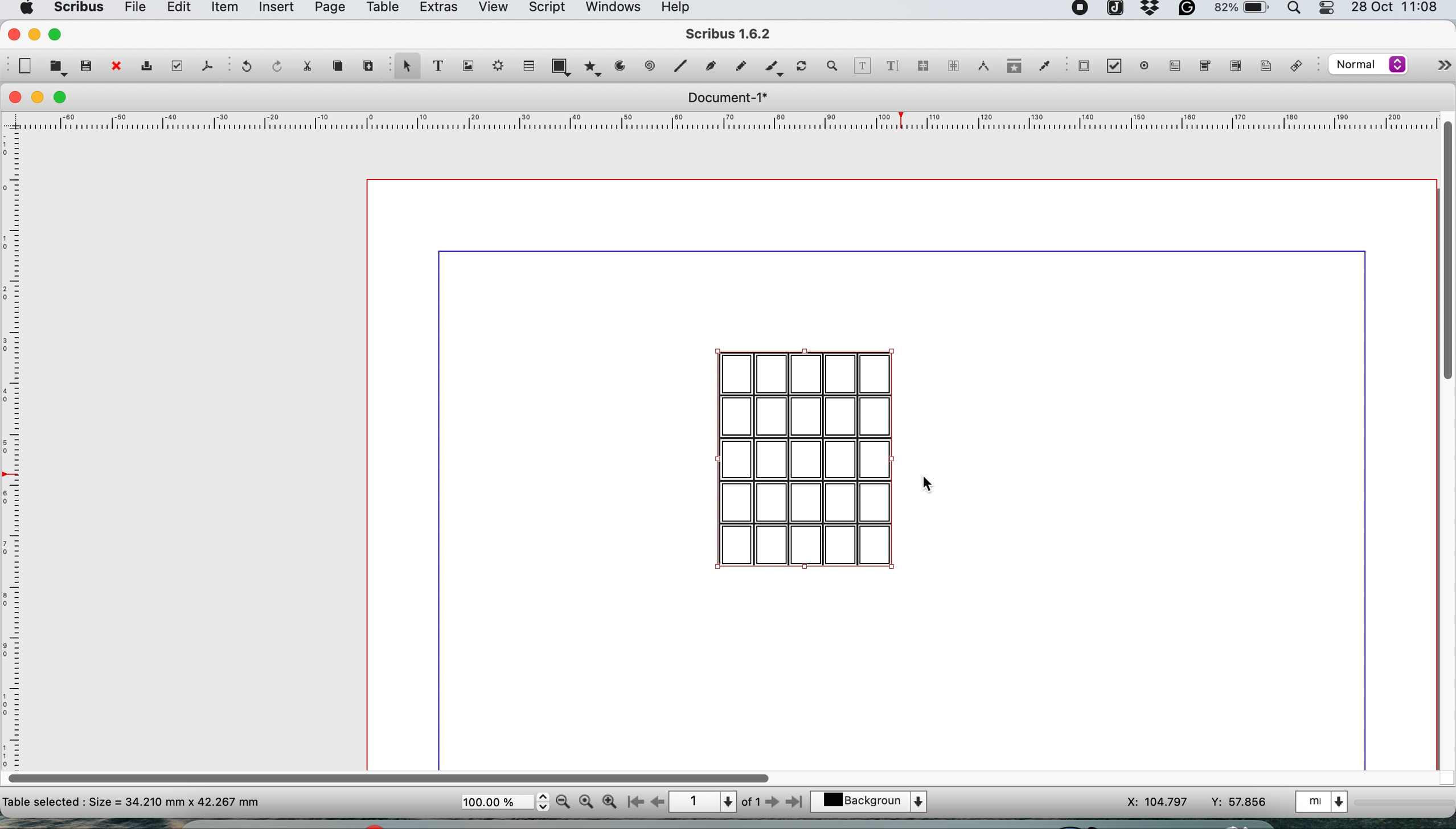  What do you see at coordinates (624, 66) in the screenshot?
I see `arc` at bounding box center [624, 66].